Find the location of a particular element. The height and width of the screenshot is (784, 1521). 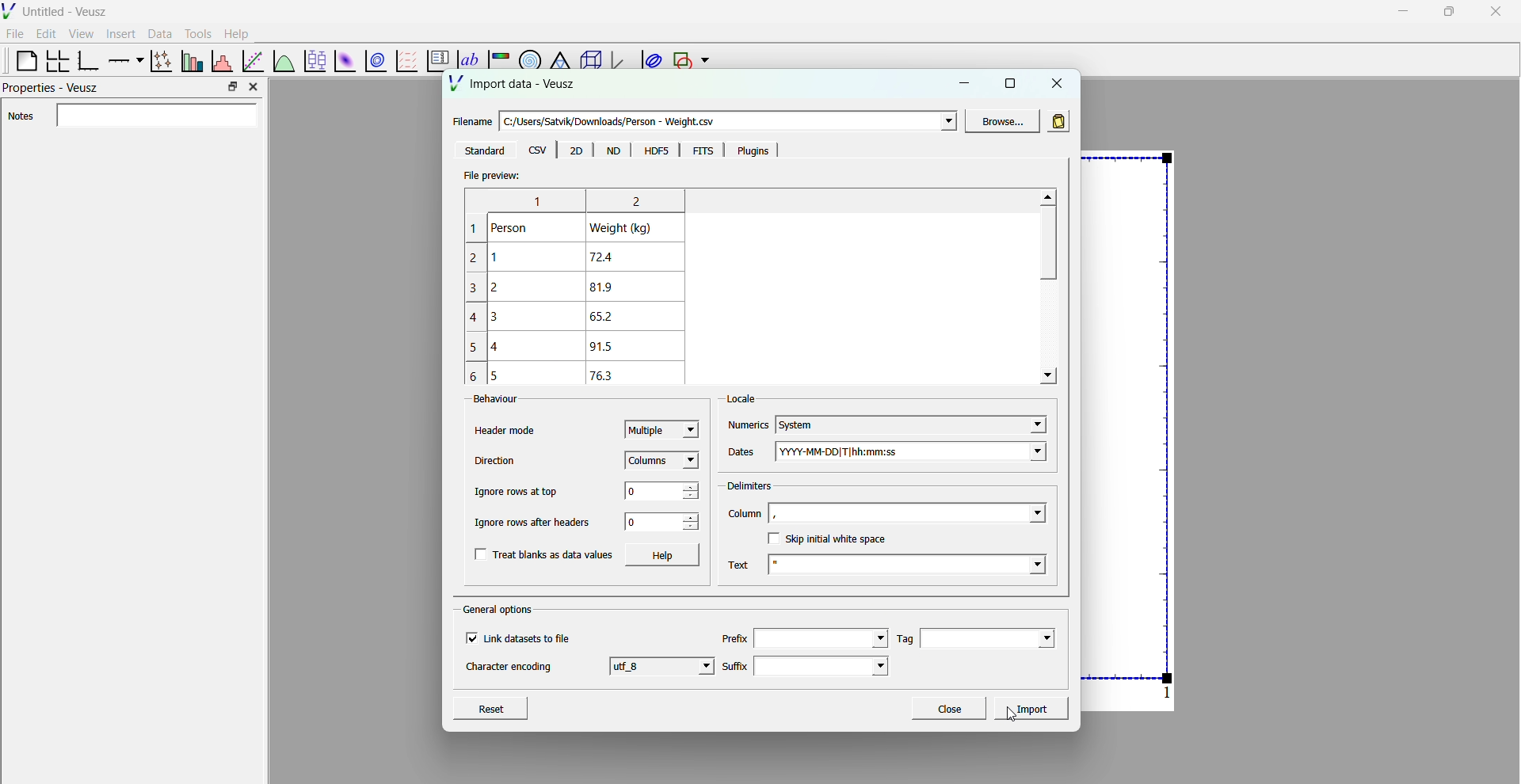

base graph is located at coordinates (88, 61).